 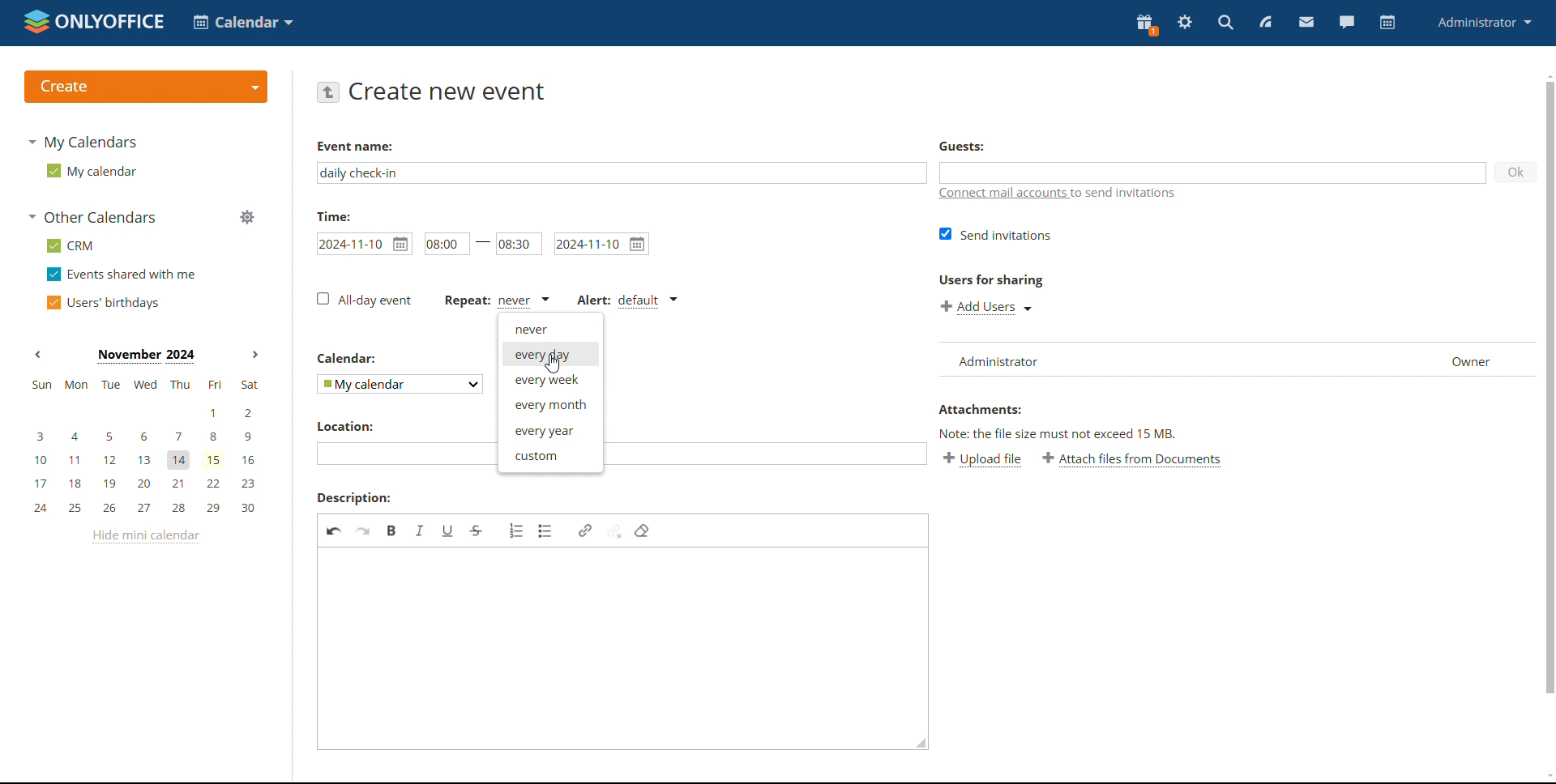 What do you see at coordinates (243, 23) in the screenshot?
I see `select application` at bounding box center [243, 23].